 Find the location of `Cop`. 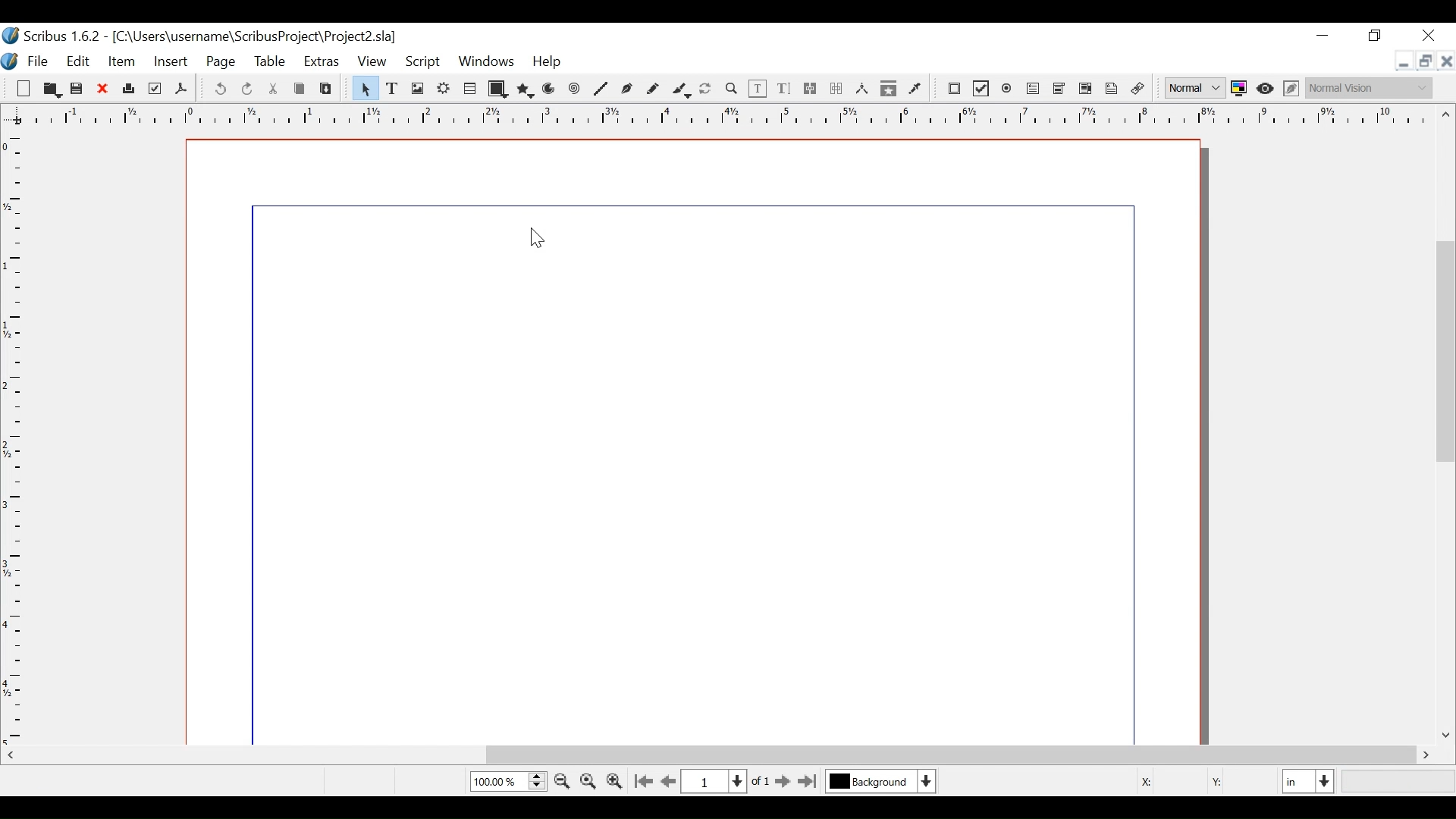

Cop is located at coordinates (299, 90).